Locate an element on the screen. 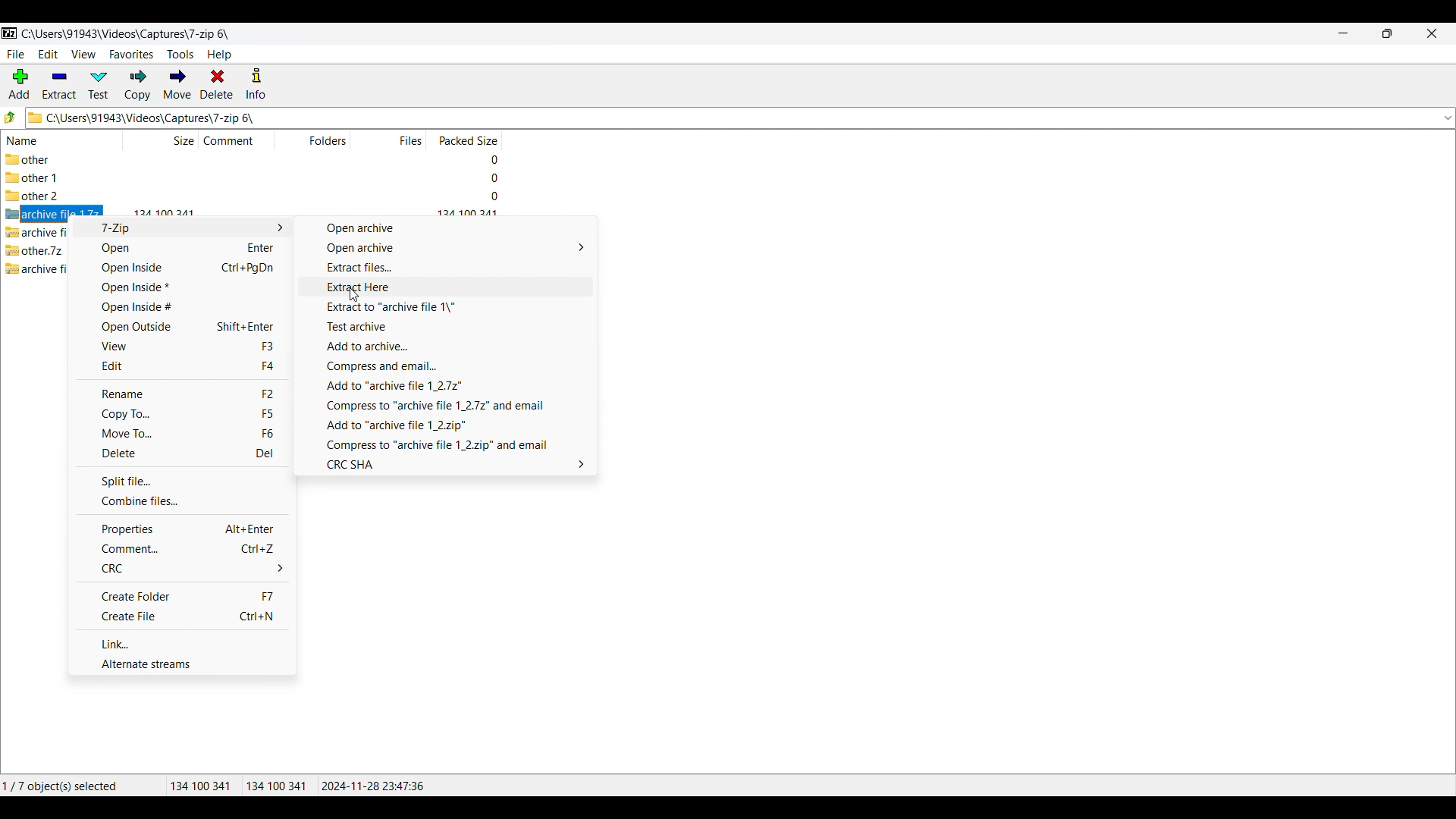 This screenshot has height=819, width=1456. Minimize is located at coordinates (1344, 33).